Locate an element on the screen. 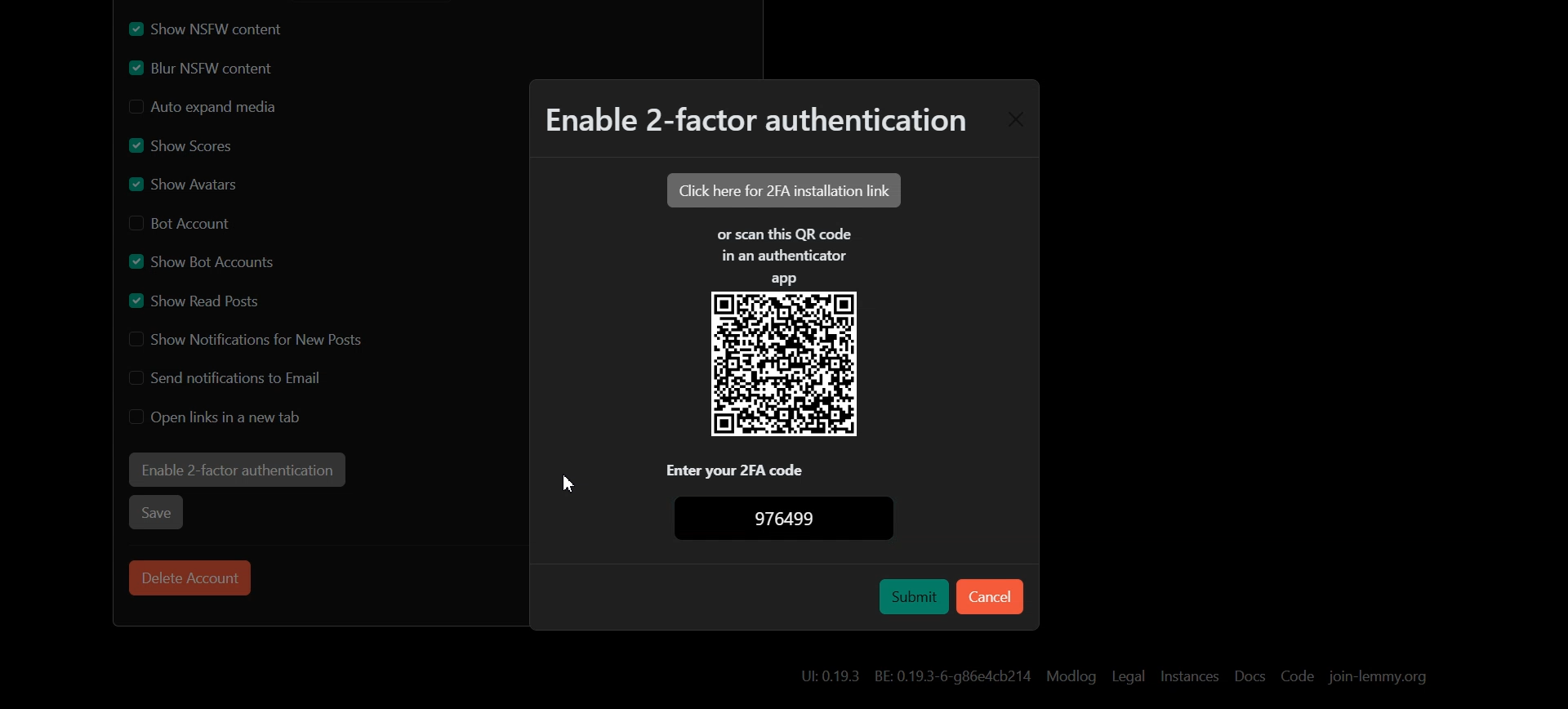  Enable Show NSFW content is located at coordinates (229, 29).